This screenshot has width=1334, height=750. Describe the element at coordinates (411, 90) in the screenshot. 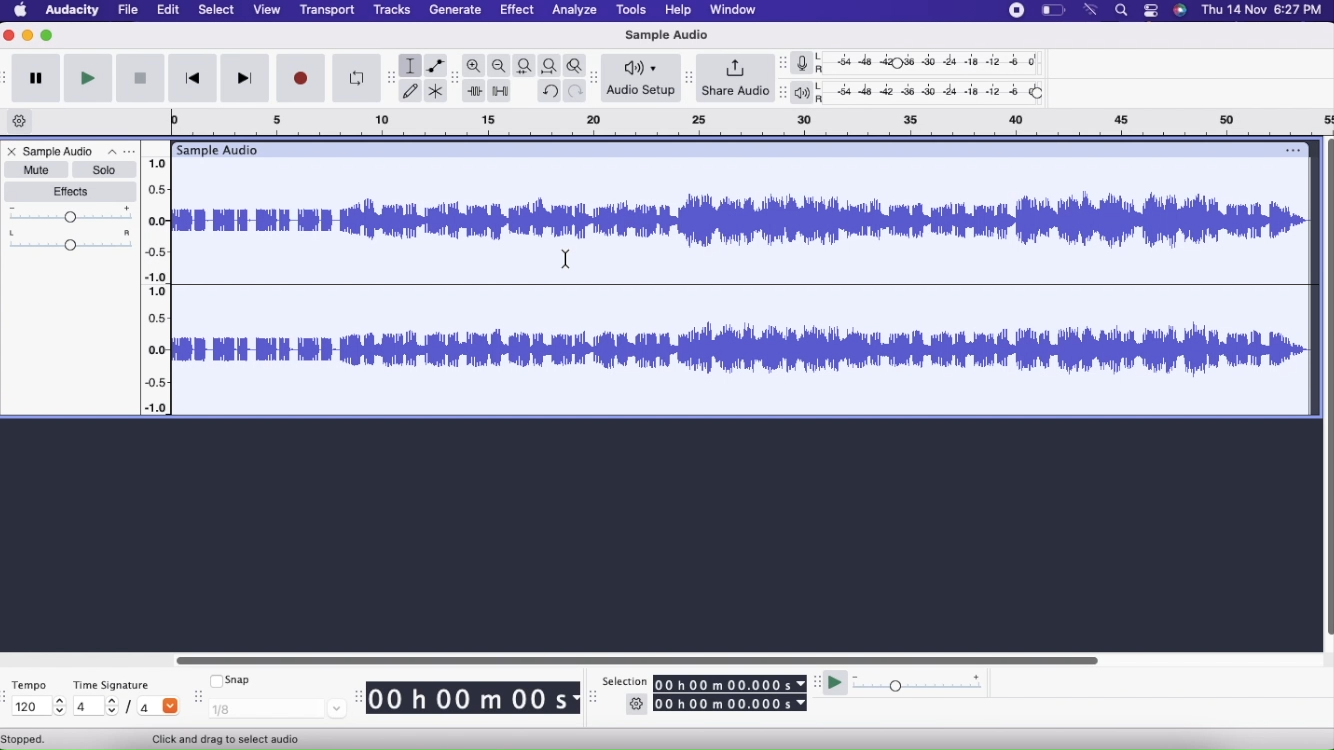

I see `Draw tool` at that location.